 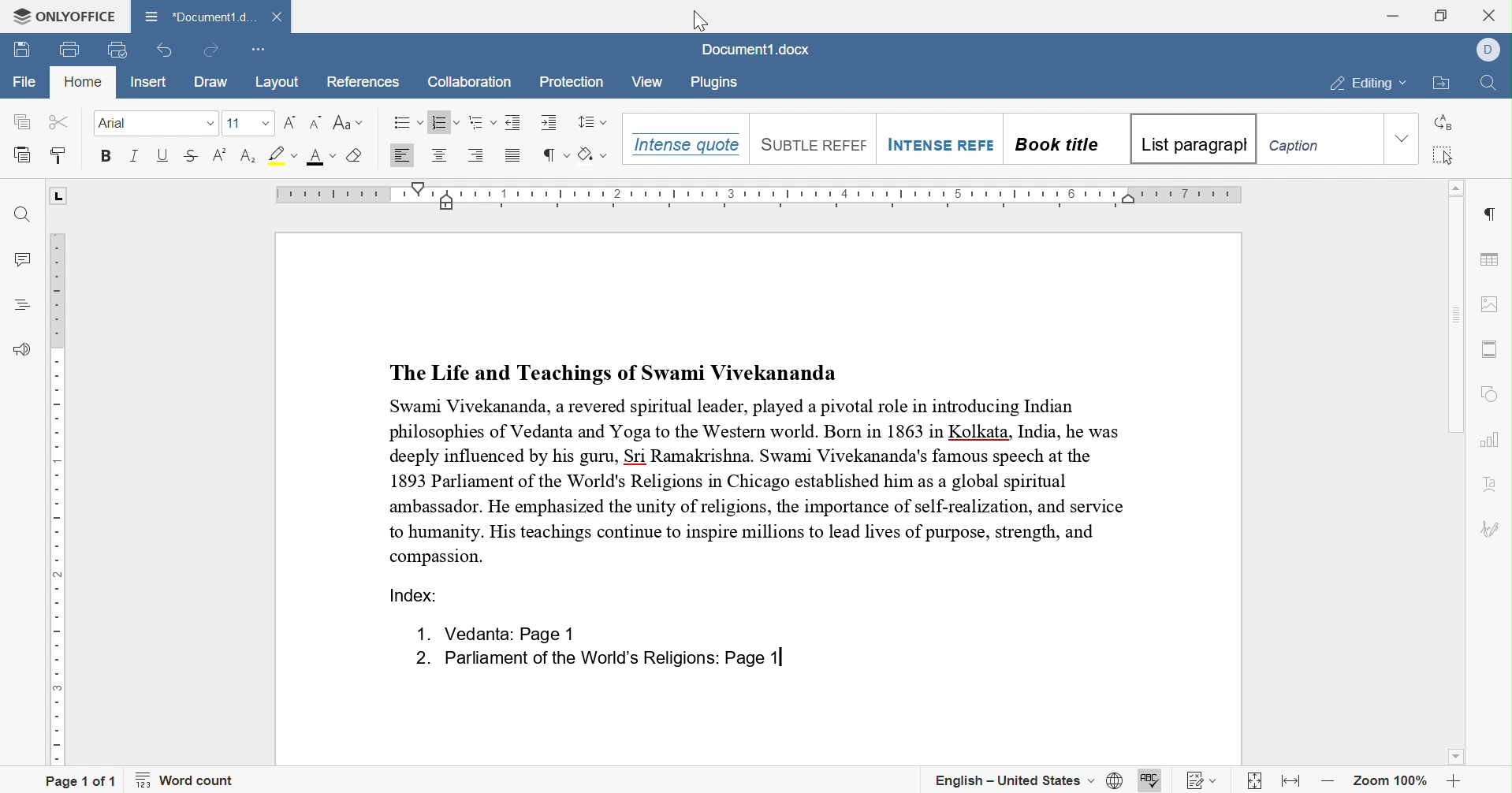 I want to click on minimmize, so click(x=1392, y=14).